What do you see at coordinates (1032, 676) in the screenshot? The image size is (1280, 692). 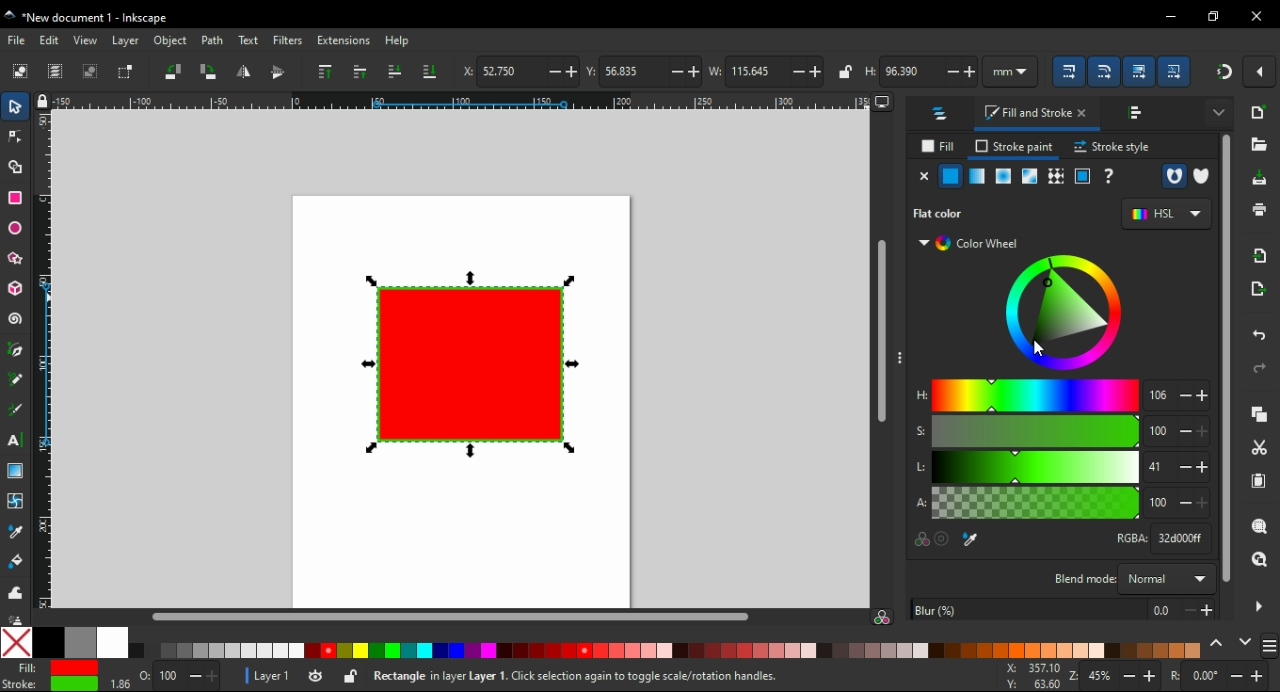 I see `x` at bounding box center [1032, 676].